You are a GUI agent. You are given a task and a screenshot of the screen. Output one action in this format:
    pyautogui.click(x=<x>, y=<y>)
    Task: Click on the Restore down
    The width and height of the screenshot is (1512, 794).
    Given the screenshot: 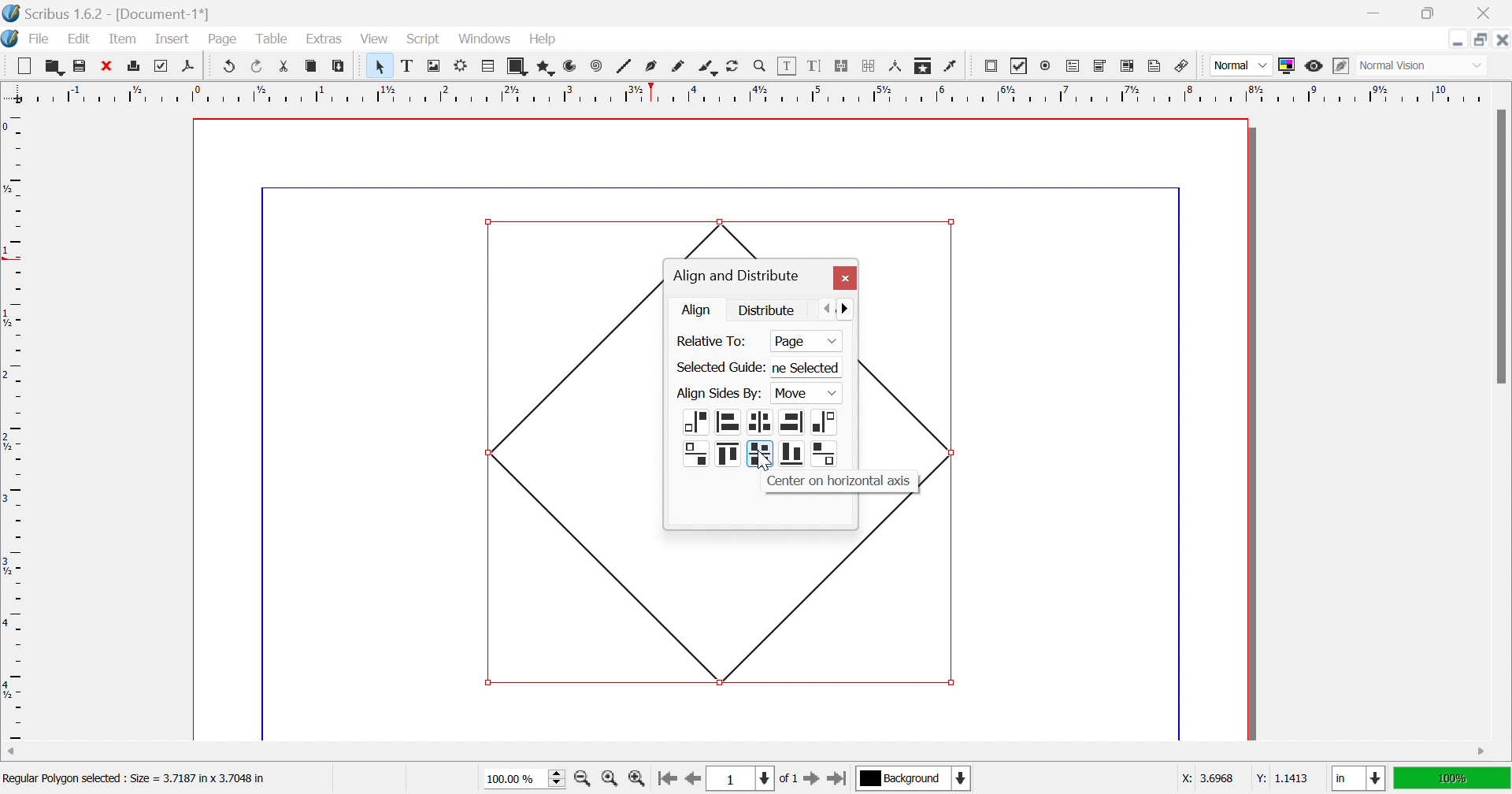 What is the action you would take?
    pyautogui.click(x=1426, y=13)
    